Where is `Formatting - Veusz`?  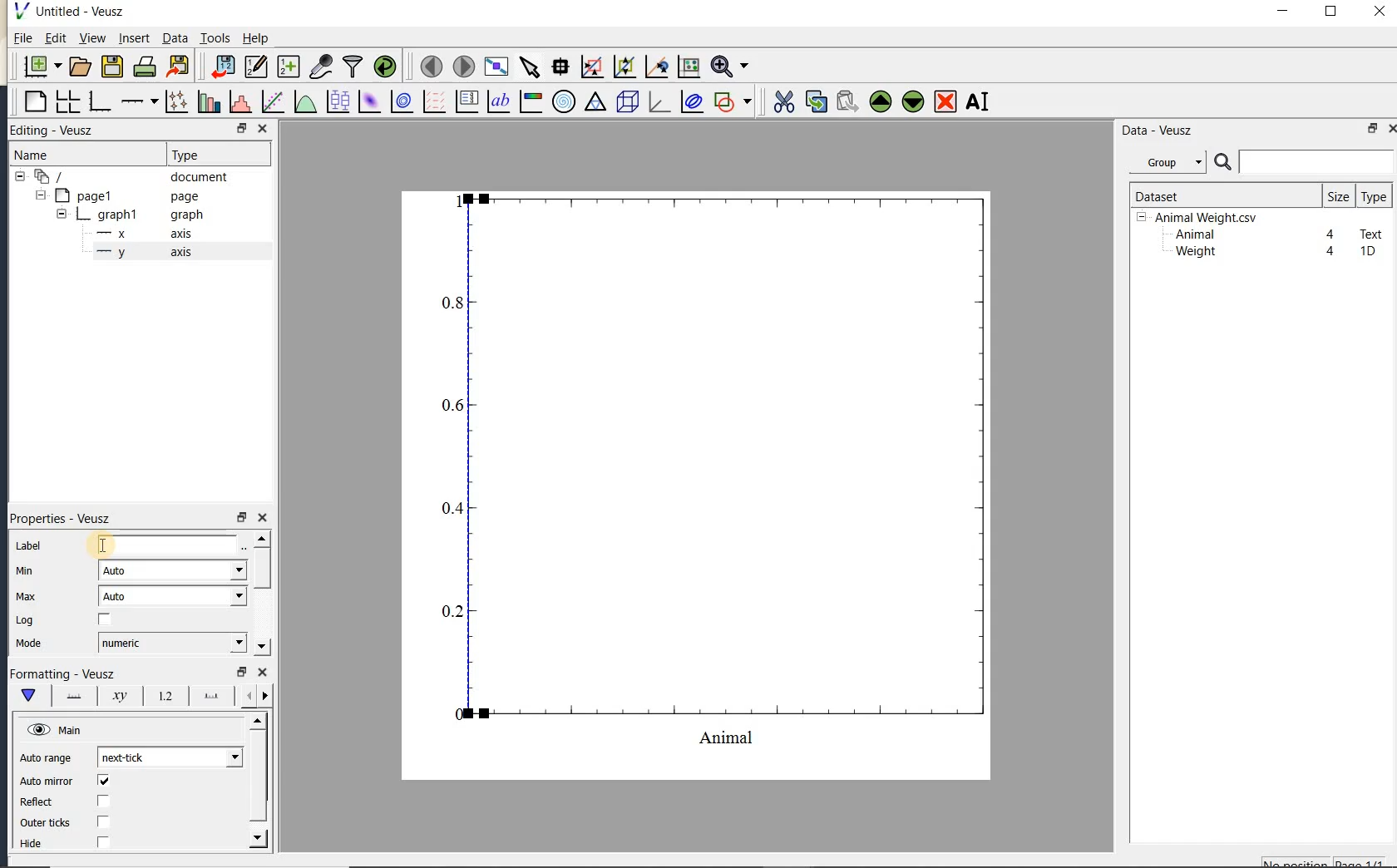
Formatting - Veusz is located at coordinates (62, 674).